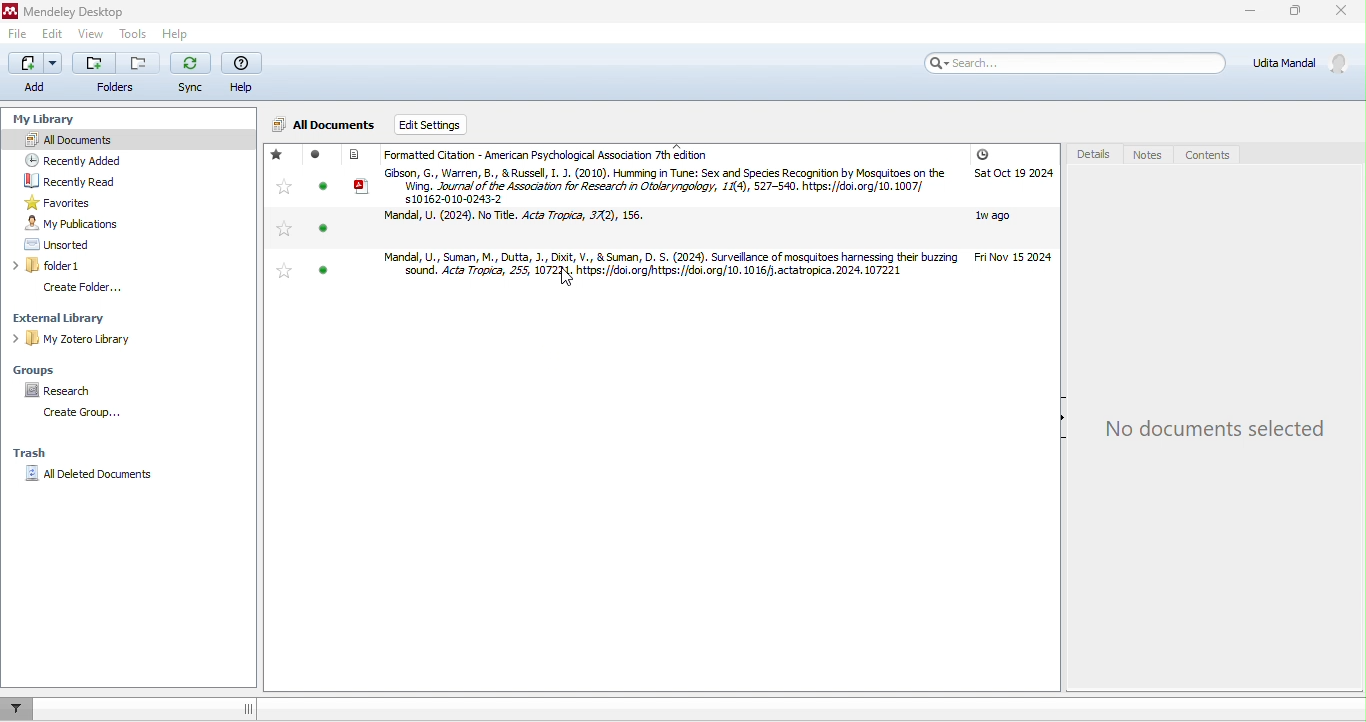  I want to click on view, so click(88, 36).